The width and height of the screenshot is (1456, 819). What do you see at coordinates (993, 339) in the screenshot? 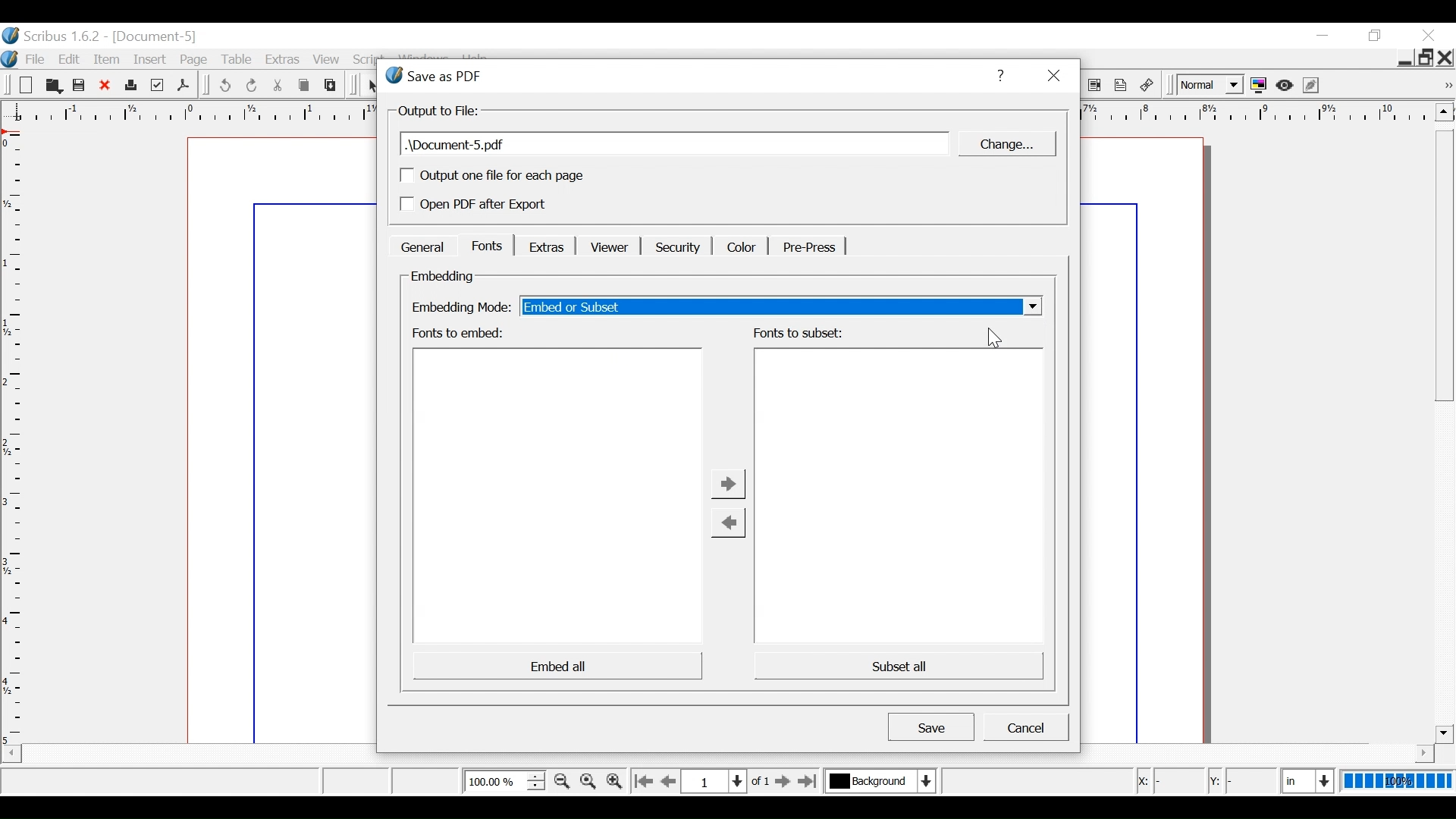
I see `Cursor` at bounding box center [993, 339].